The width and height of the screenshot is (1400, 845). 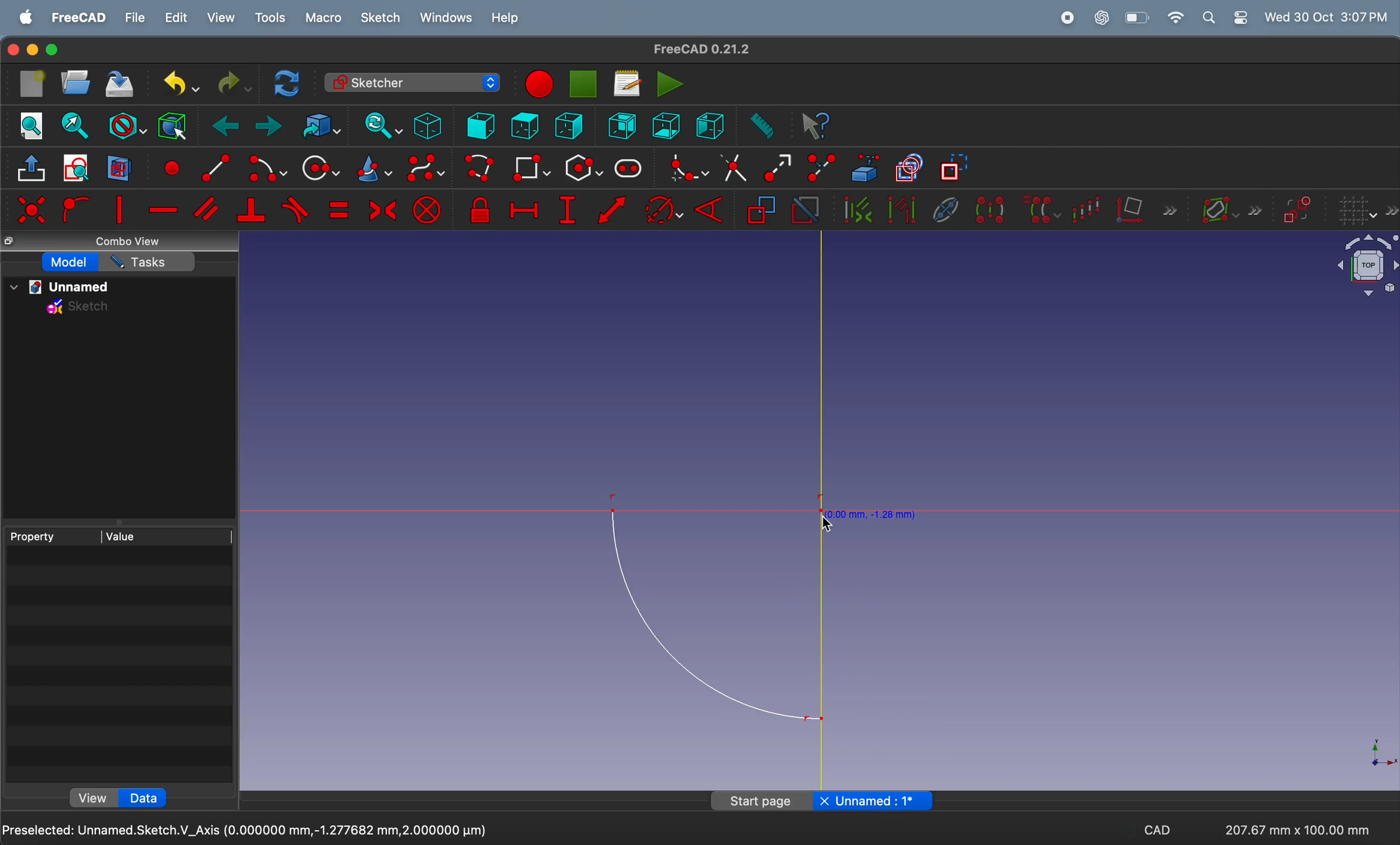 What do you see at coordinates (211, 166) in the screenshot?
I see `create arc` at bounding box center [211, 166].